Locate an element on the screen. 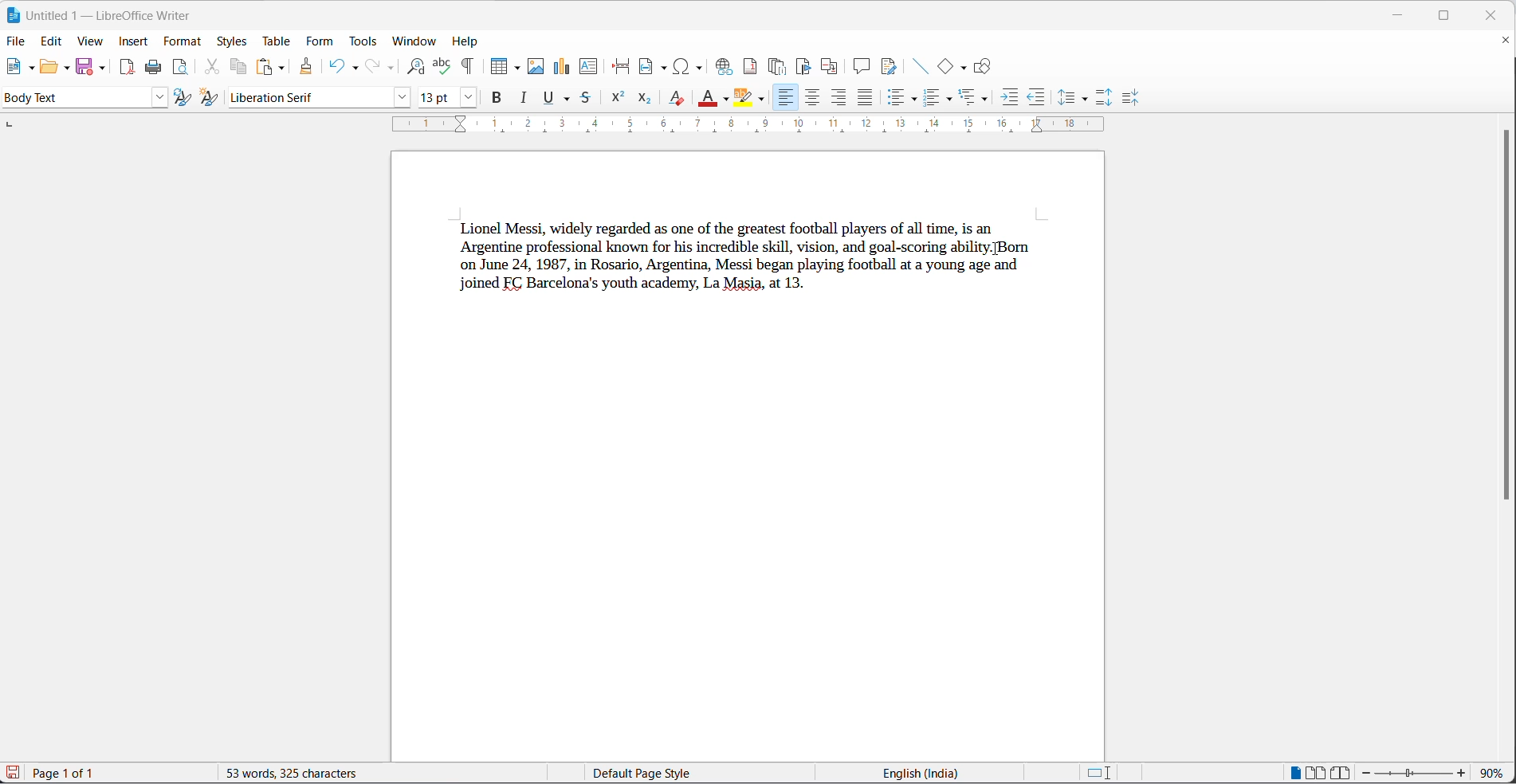 Image resolution: width=1516 pixels, height=784 pixels. font name is located at coordinates (304, 97).